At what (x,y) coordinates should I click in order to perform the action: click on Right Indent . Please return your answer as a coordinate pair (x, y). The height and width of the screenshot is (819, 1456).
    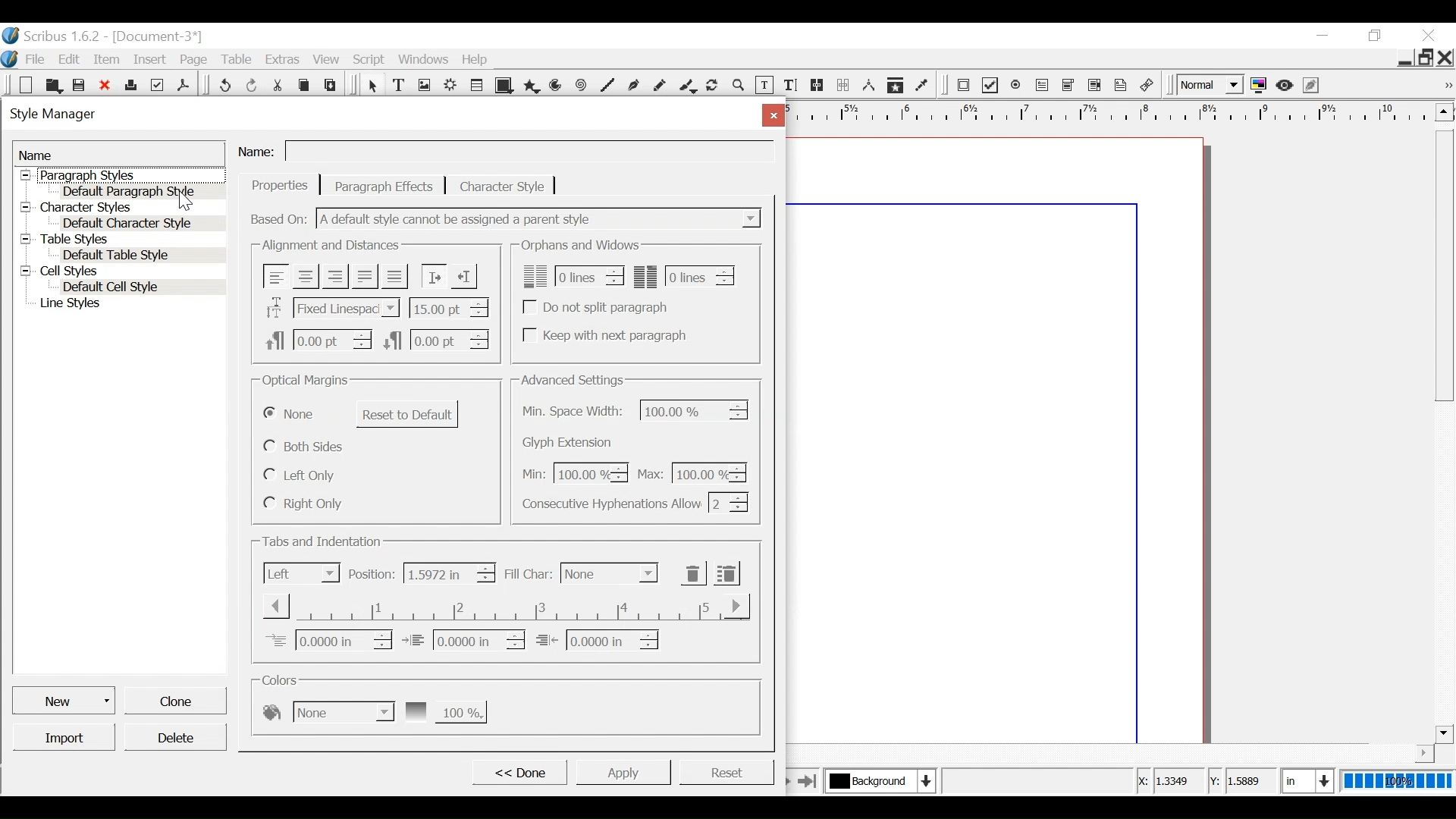
    Looking at the image, I should click on (597, 639).